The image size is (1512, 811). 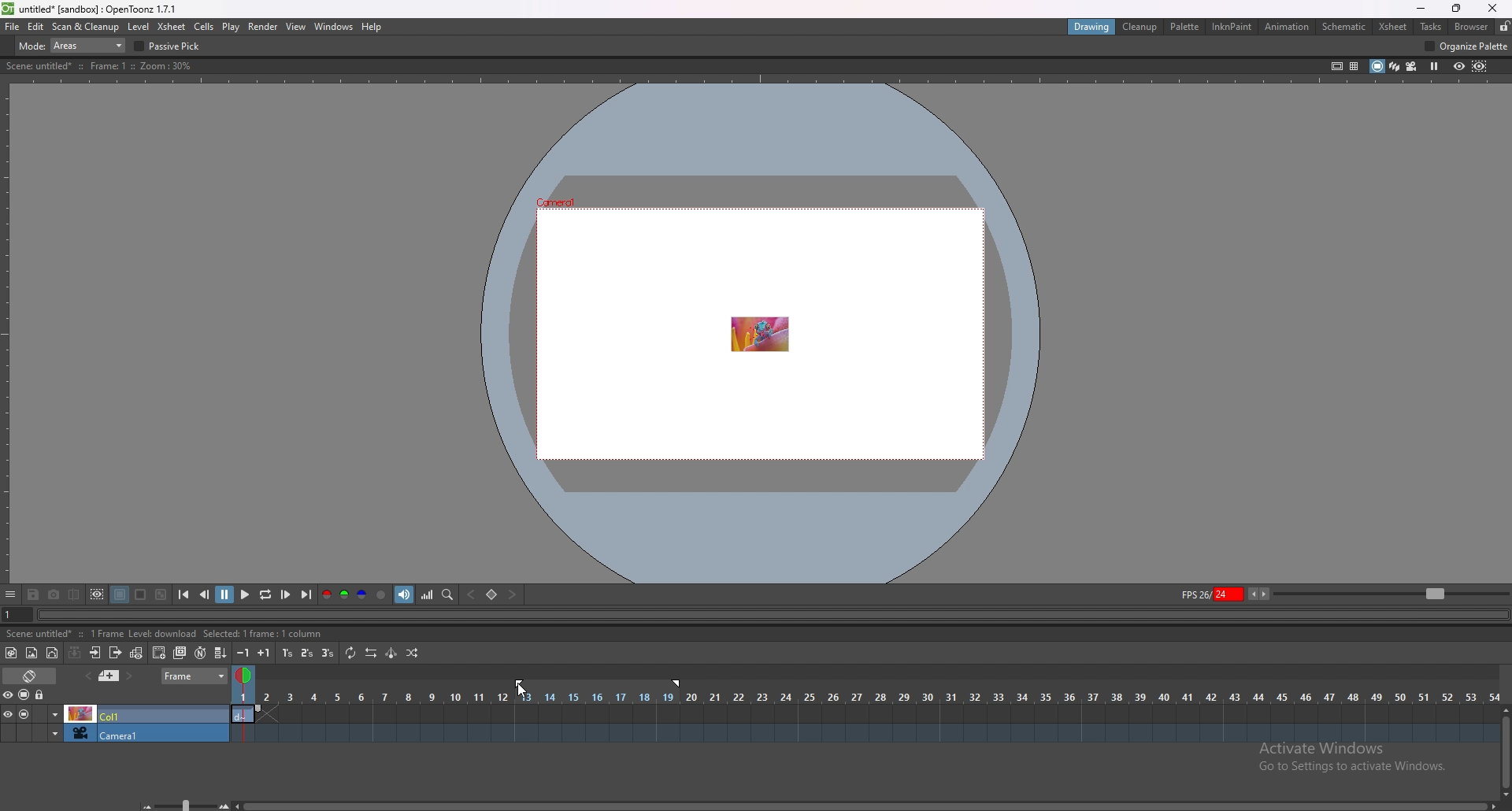 What do you see at coordinates (328, 653) in the screenshot?
I see `reframe on 3s` at bounding box center [328, 653].